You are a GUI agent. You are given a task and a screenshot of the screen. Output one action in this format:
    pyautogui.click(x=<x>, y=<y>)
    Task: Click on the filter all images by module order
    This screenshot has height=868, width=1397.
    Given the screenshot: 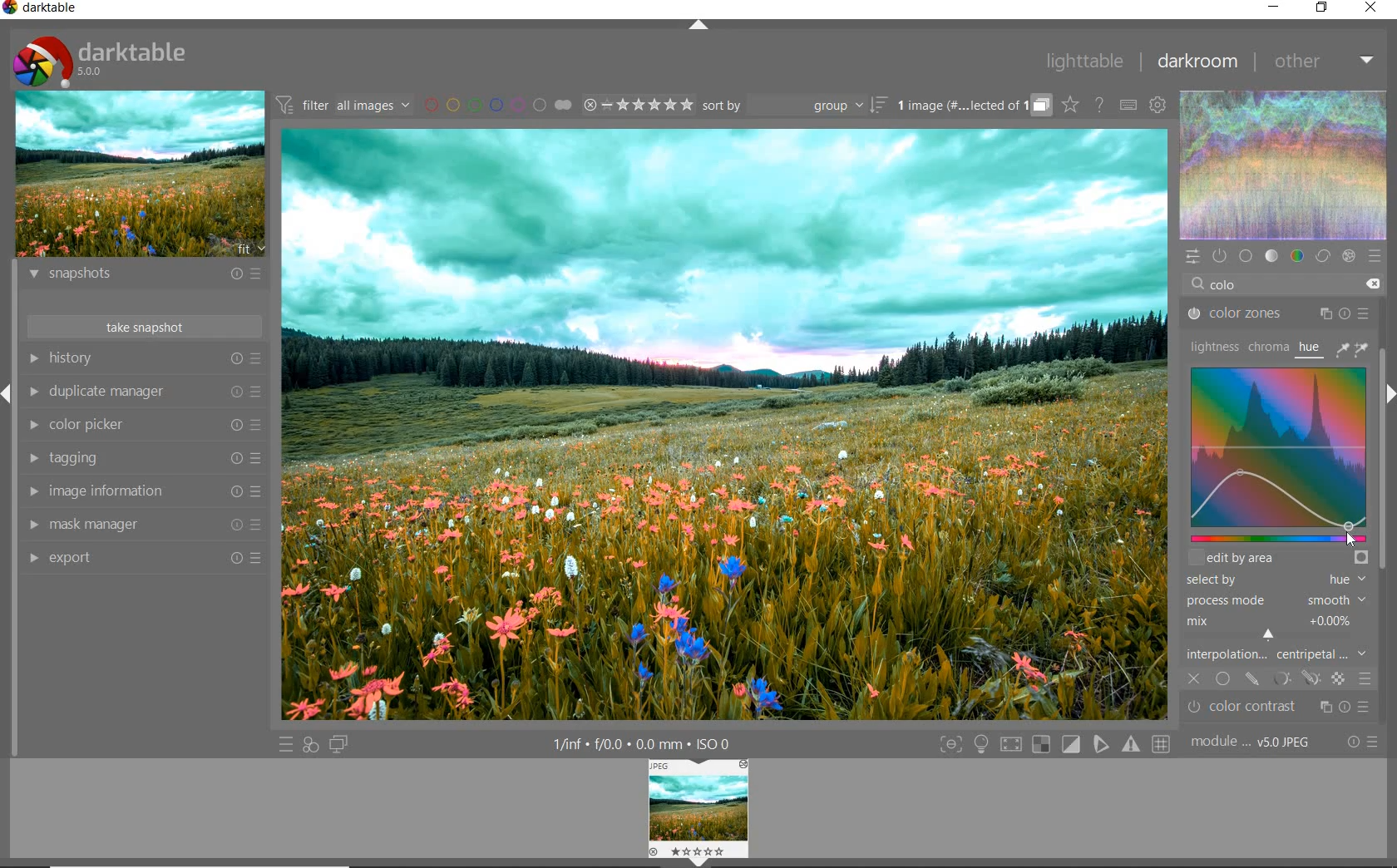 What is the action you would take?
    pyautogui.click(x=342, y=106)
    